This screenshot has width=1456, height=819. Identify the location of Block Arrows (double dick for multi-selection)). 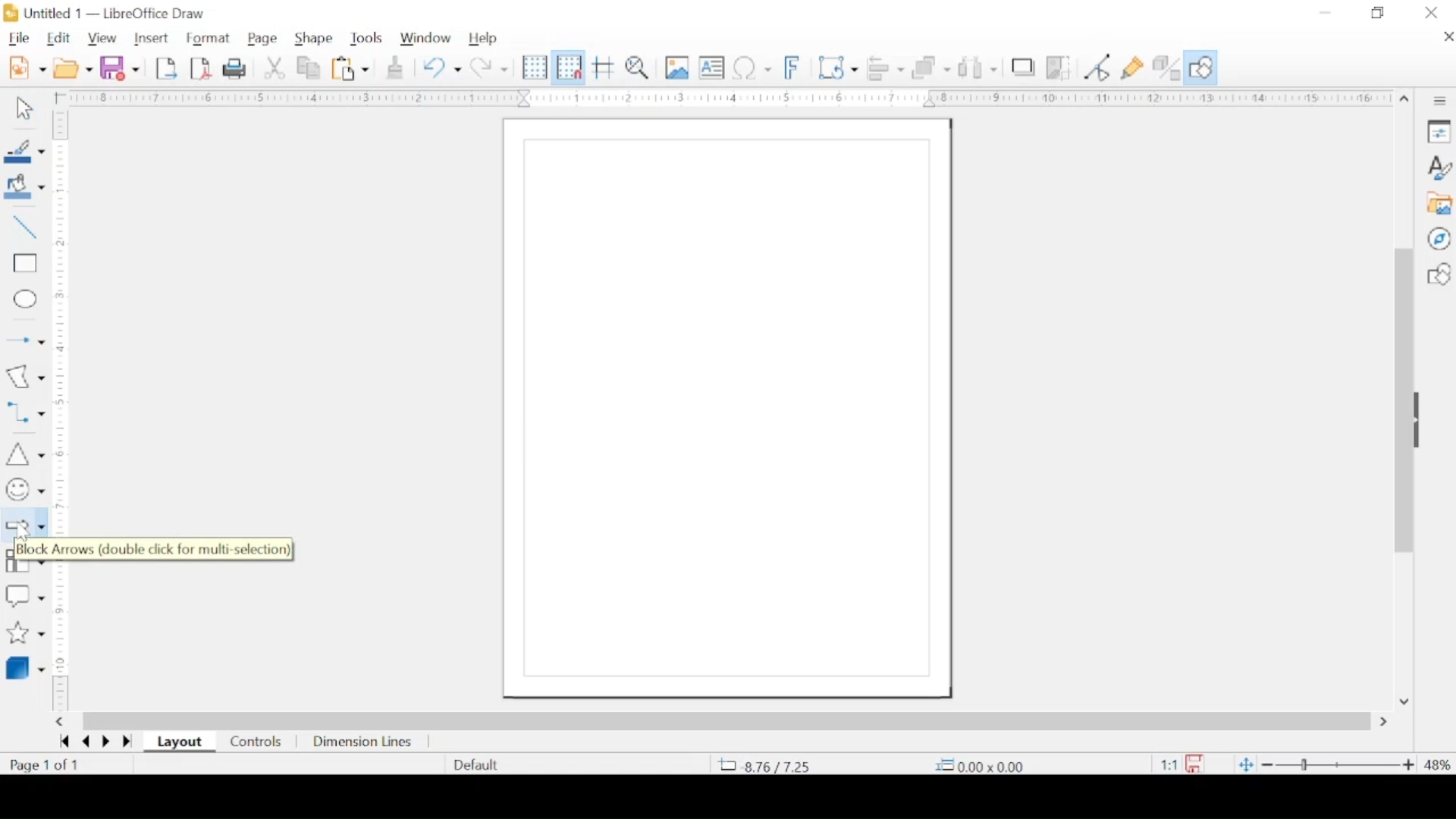
(153, 549).